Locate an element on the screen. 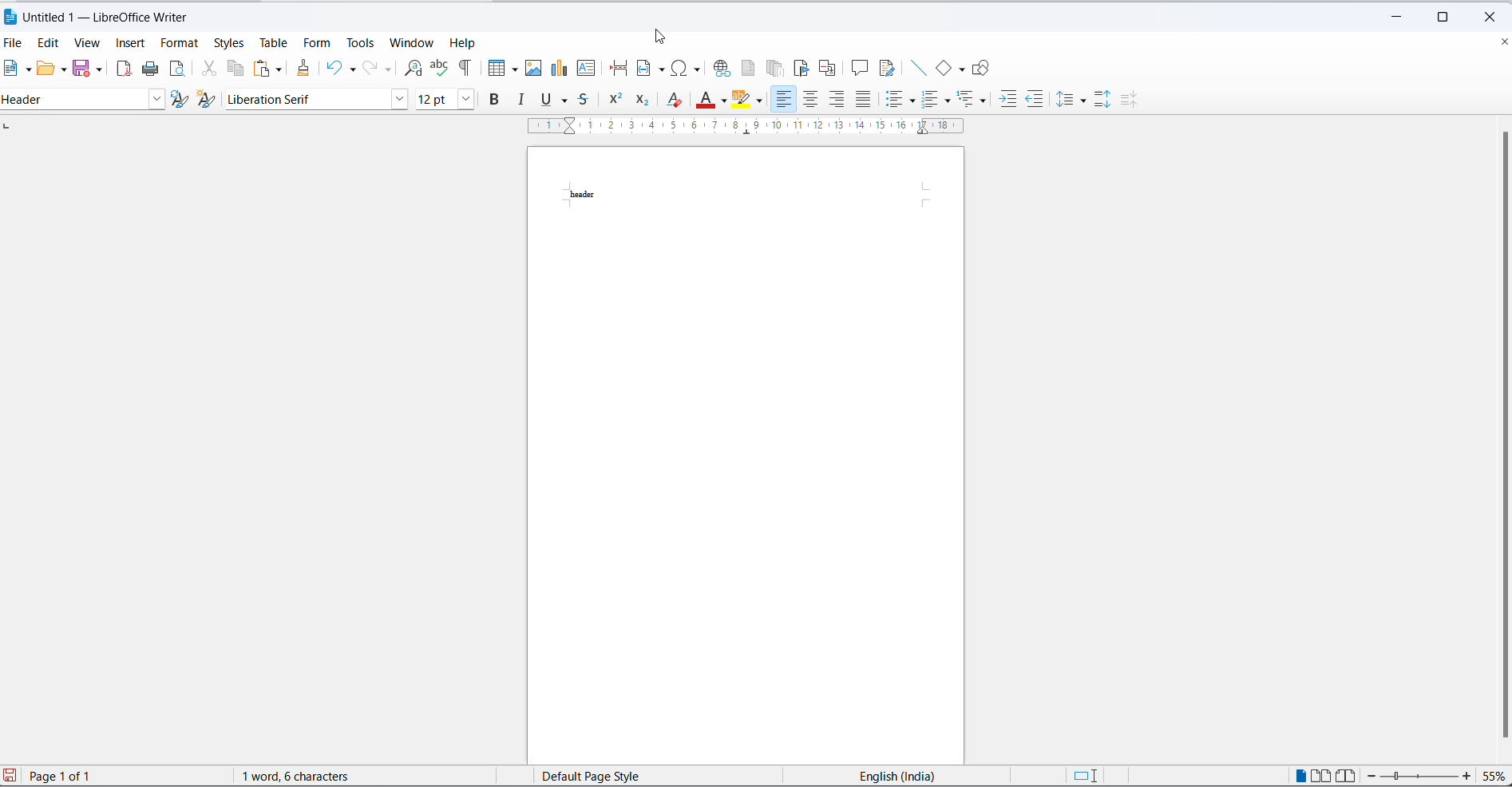  scroll bar is located at coordinates (1498, 436).